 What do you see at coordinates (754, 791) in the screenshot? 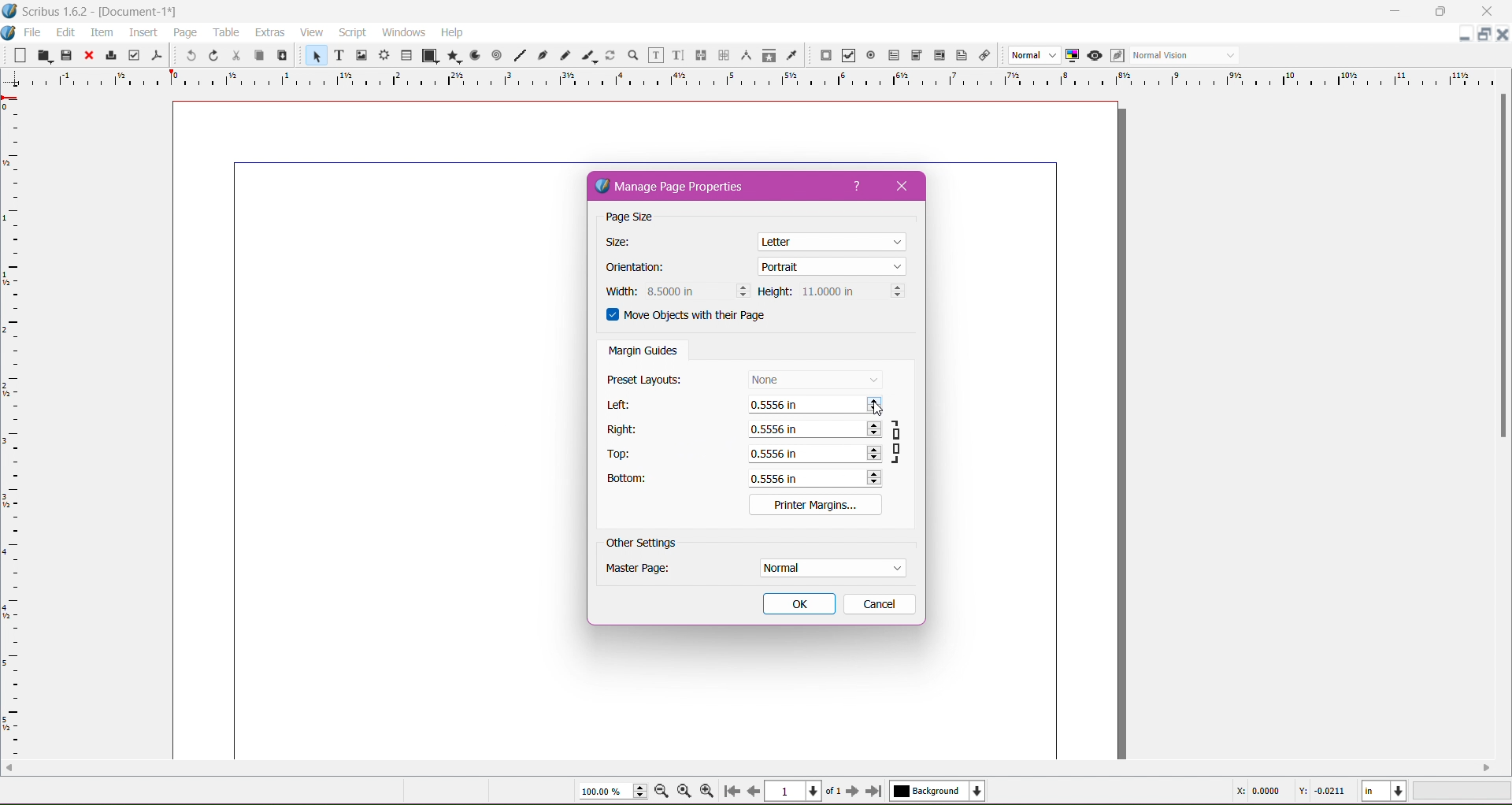
I see `Go to previous page` at bounding box center [754, 791].